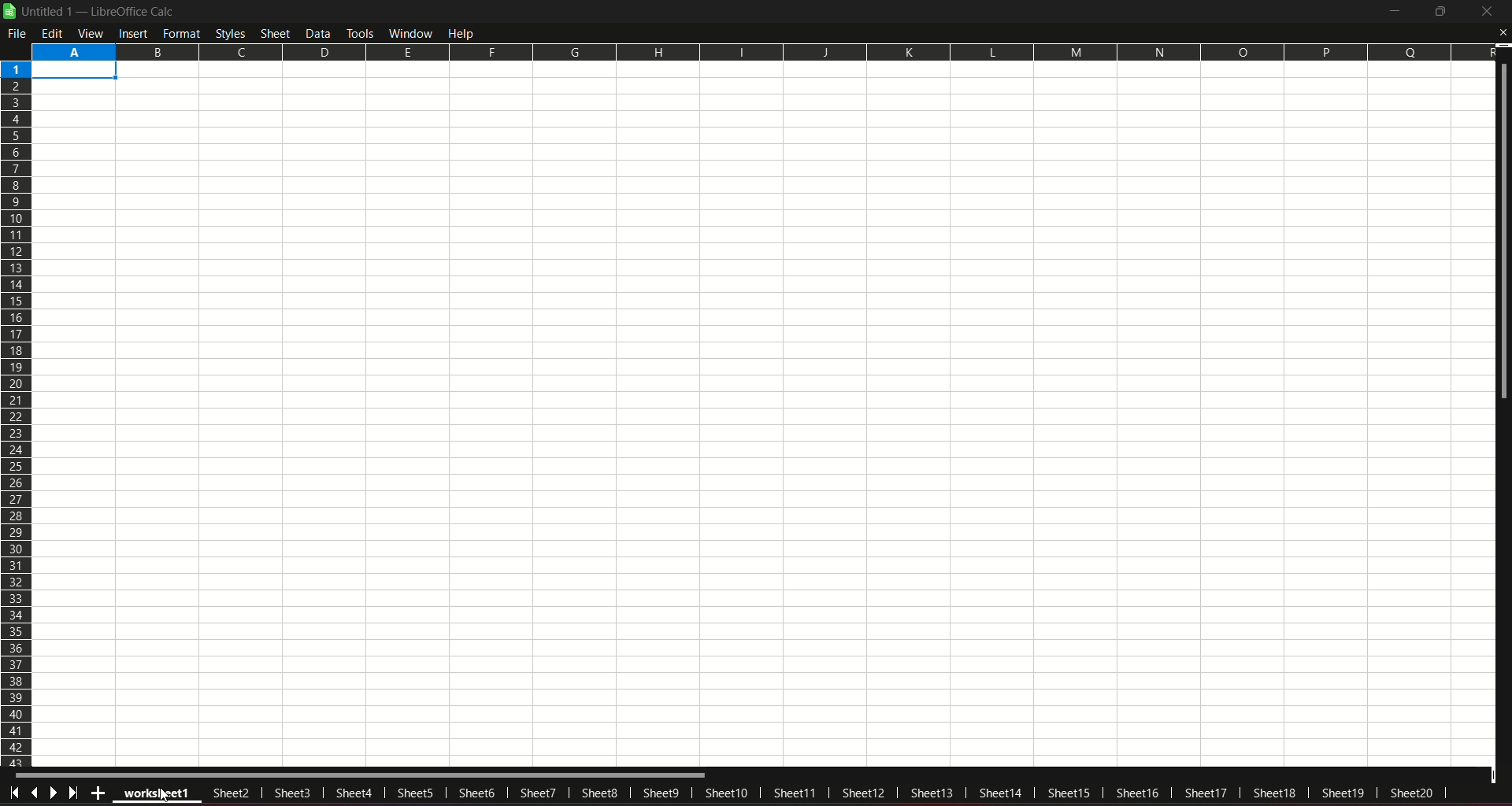  I want to click on Help, so click(465, 32).